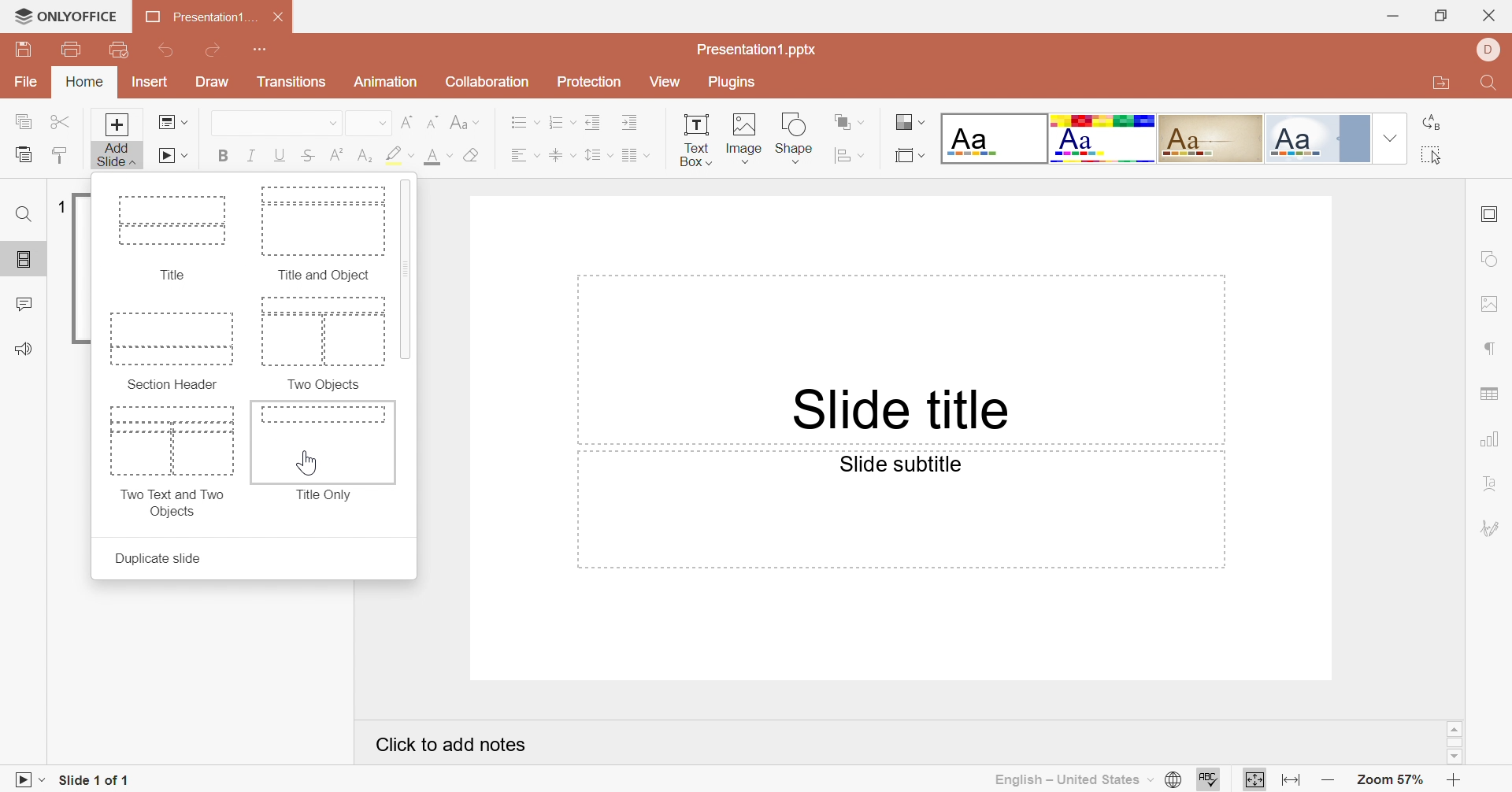 The width and height of the screenshot is (1512, 792). I want to click on Align Size, so click(846, 156).